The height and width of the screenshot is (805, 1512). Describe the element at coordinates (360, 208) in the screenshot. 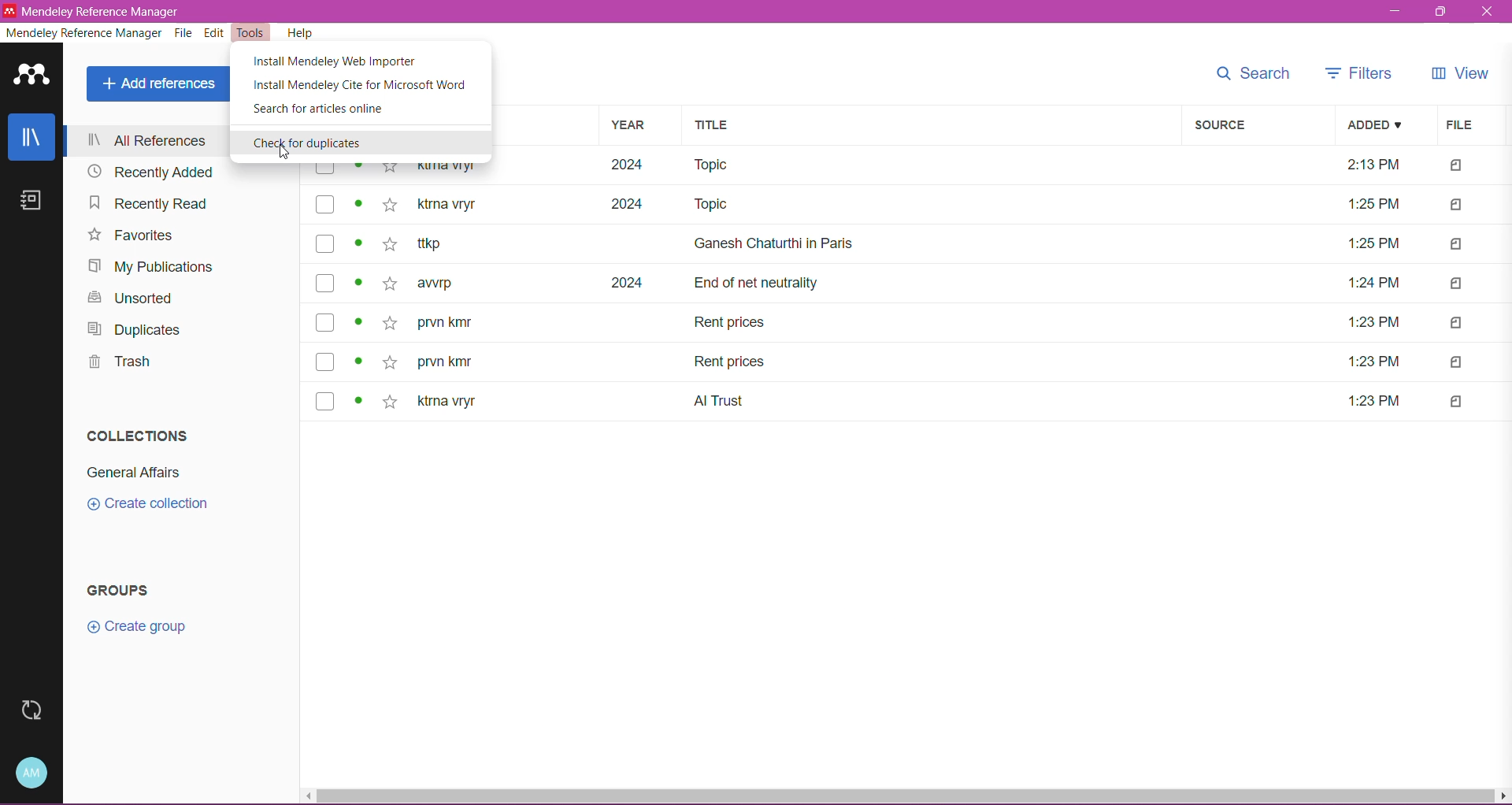

I see `read` at that location.